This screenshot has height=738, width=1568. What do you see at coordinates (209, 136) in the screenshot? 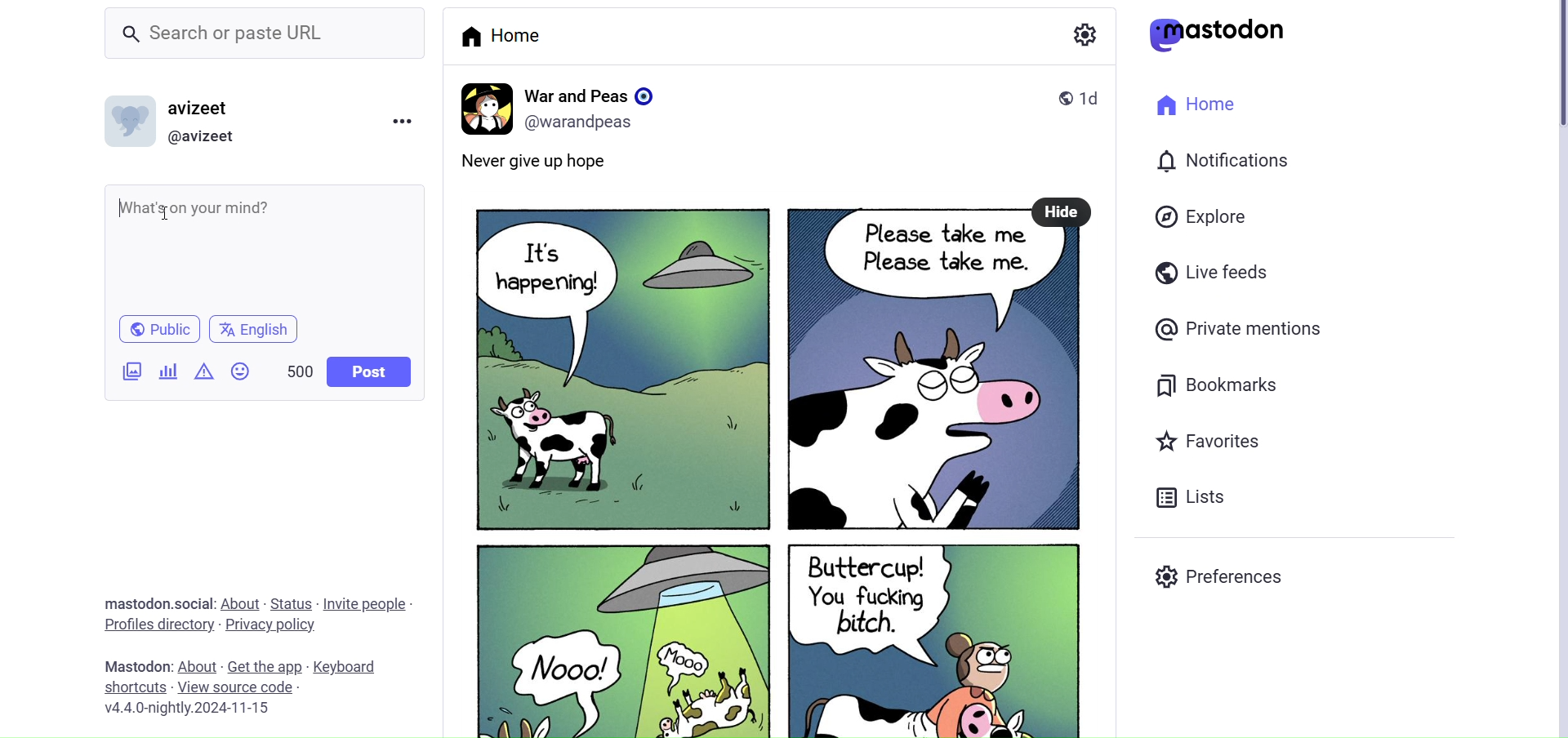
I see `@avizeet` at bounding box center [209, 136].